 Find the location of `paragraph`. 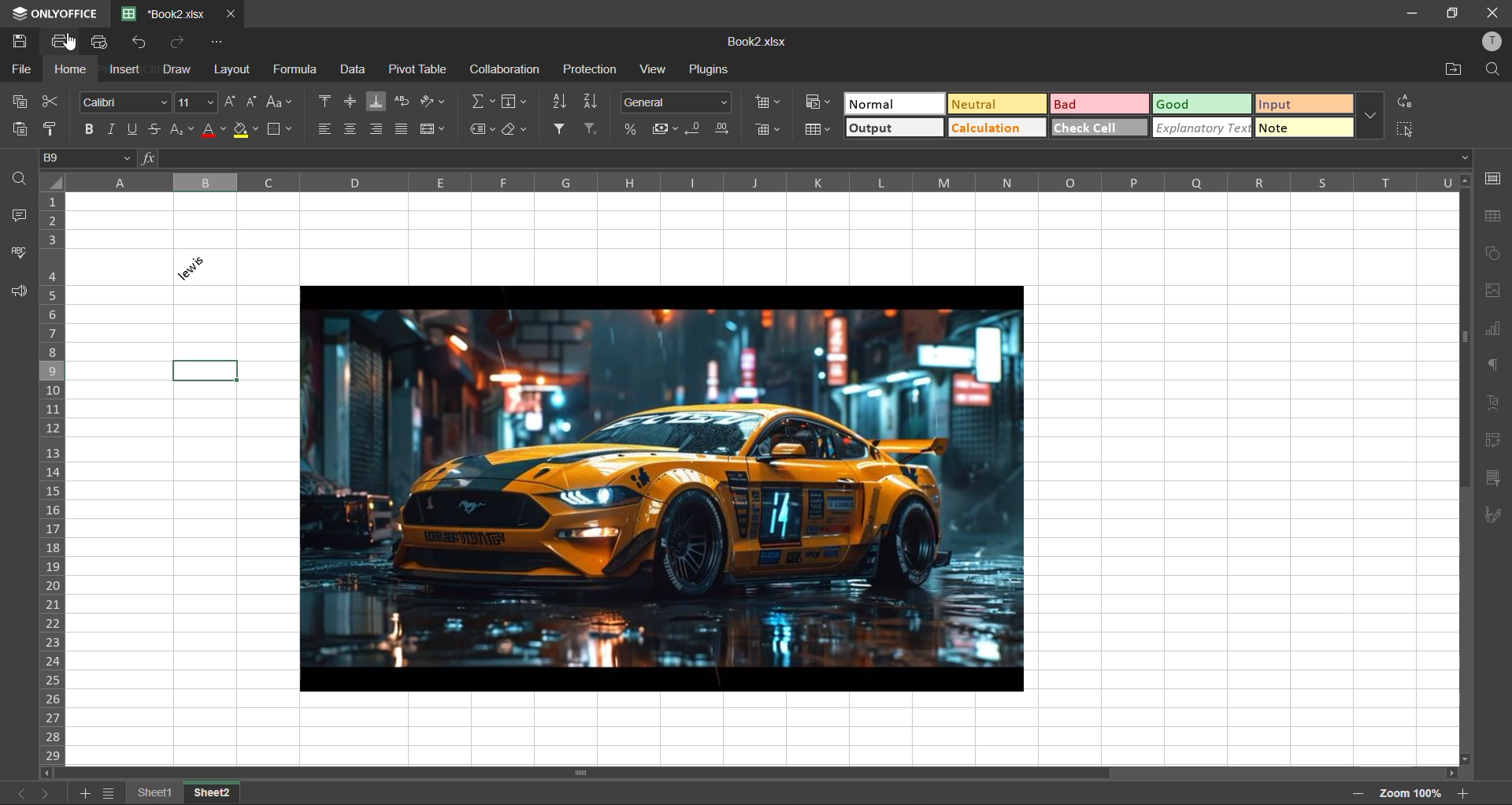

paragraph is located at coordinates (1492, 365).